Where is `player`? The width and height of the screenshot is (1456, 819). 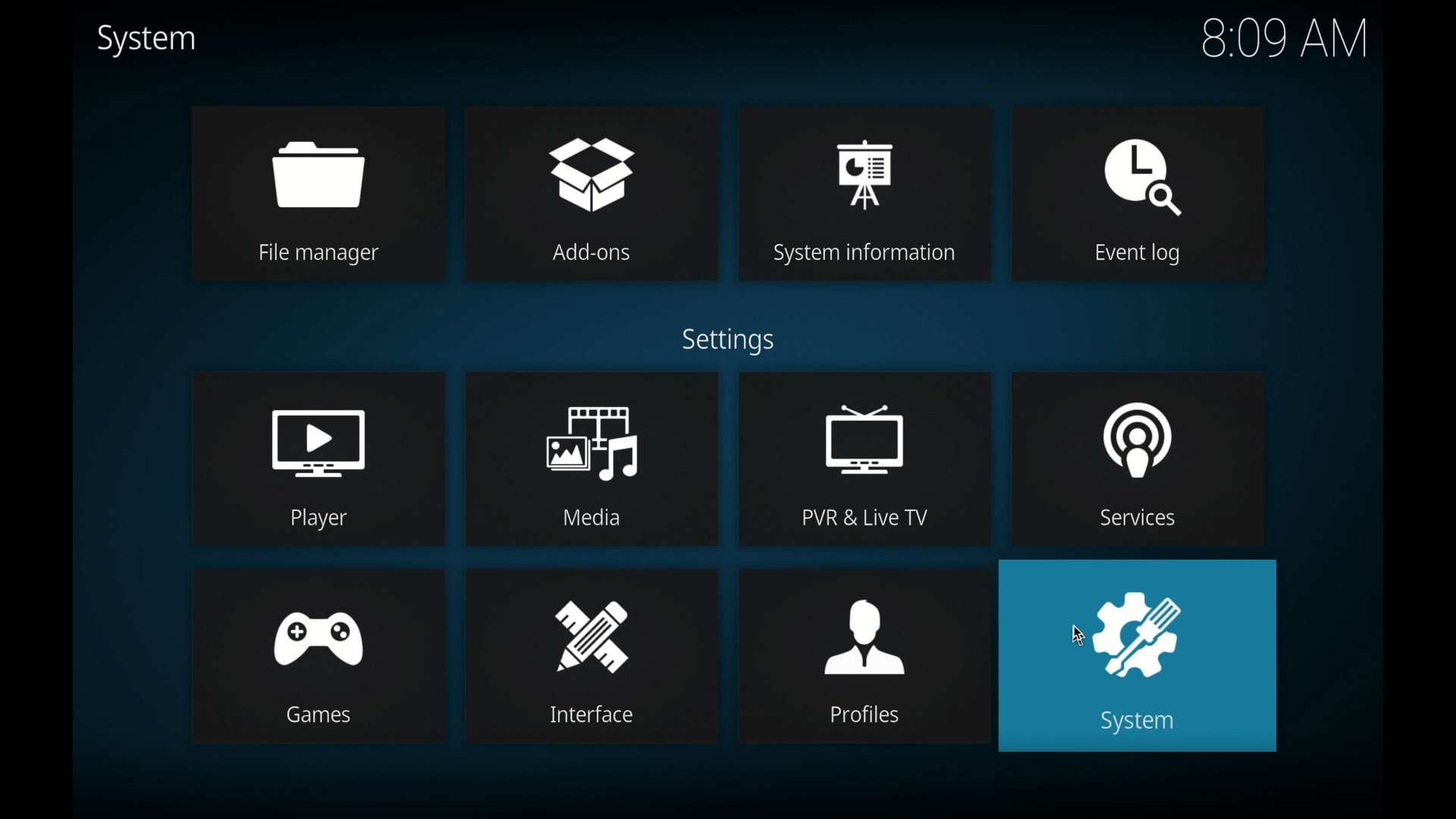
player is located at coordinates (318, 458).